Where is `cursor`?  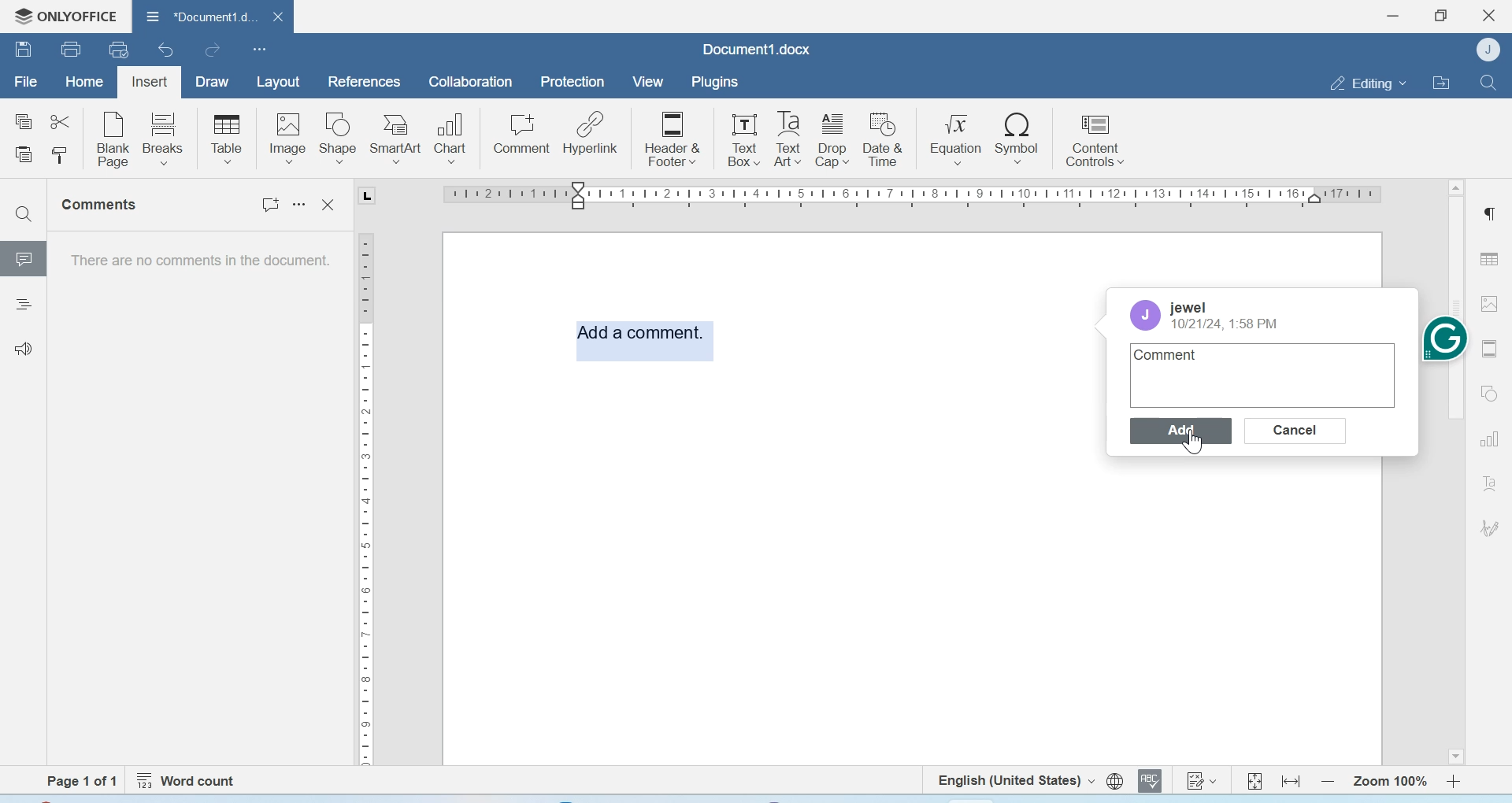 cursor is located at coordinates (1189, 442).